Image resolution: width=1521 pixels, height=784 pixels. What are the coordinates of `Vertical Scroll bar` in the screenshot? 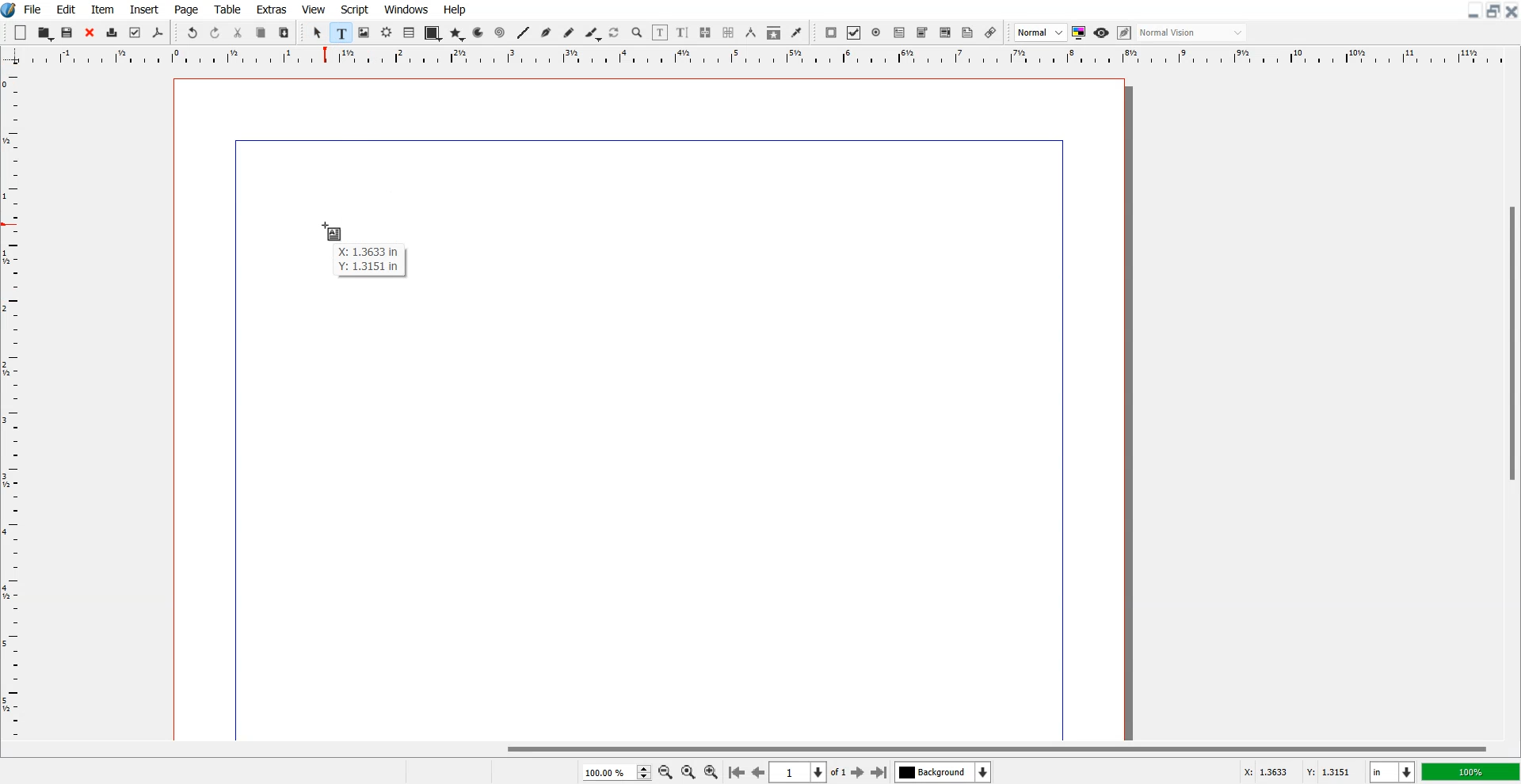 It's located at (1511, 404).